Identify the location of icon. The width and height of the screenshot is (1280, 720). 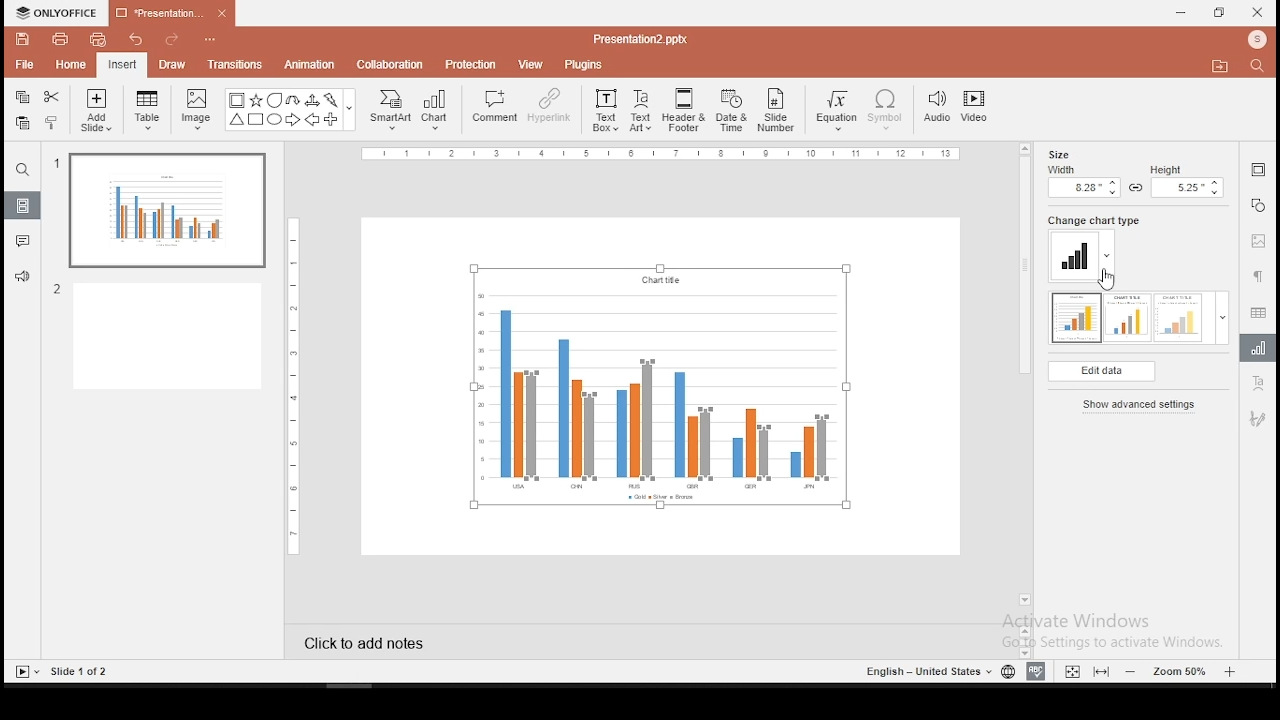
(1257, 41).